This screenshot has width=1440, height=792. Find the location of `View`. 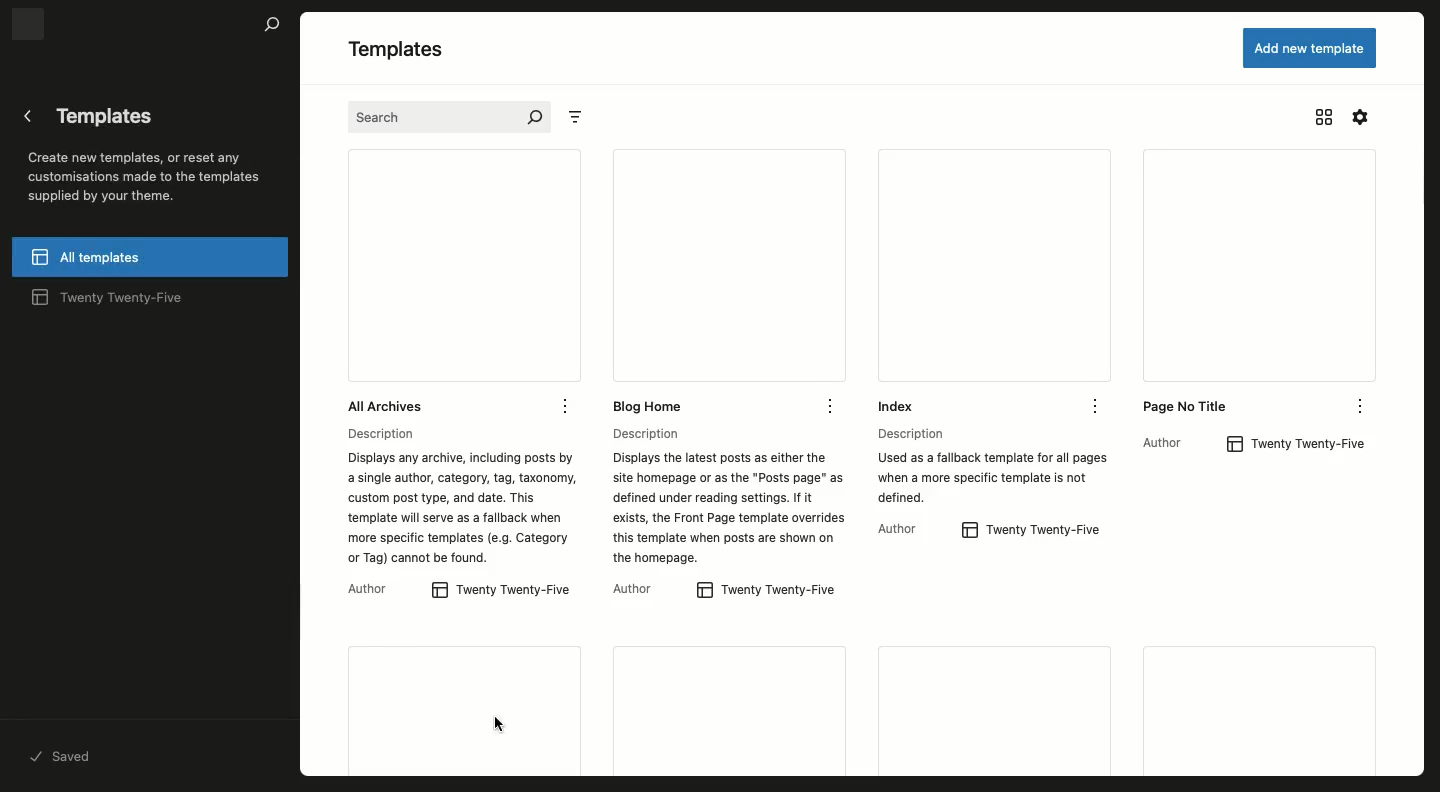

View is located at coordinates (864, 264).